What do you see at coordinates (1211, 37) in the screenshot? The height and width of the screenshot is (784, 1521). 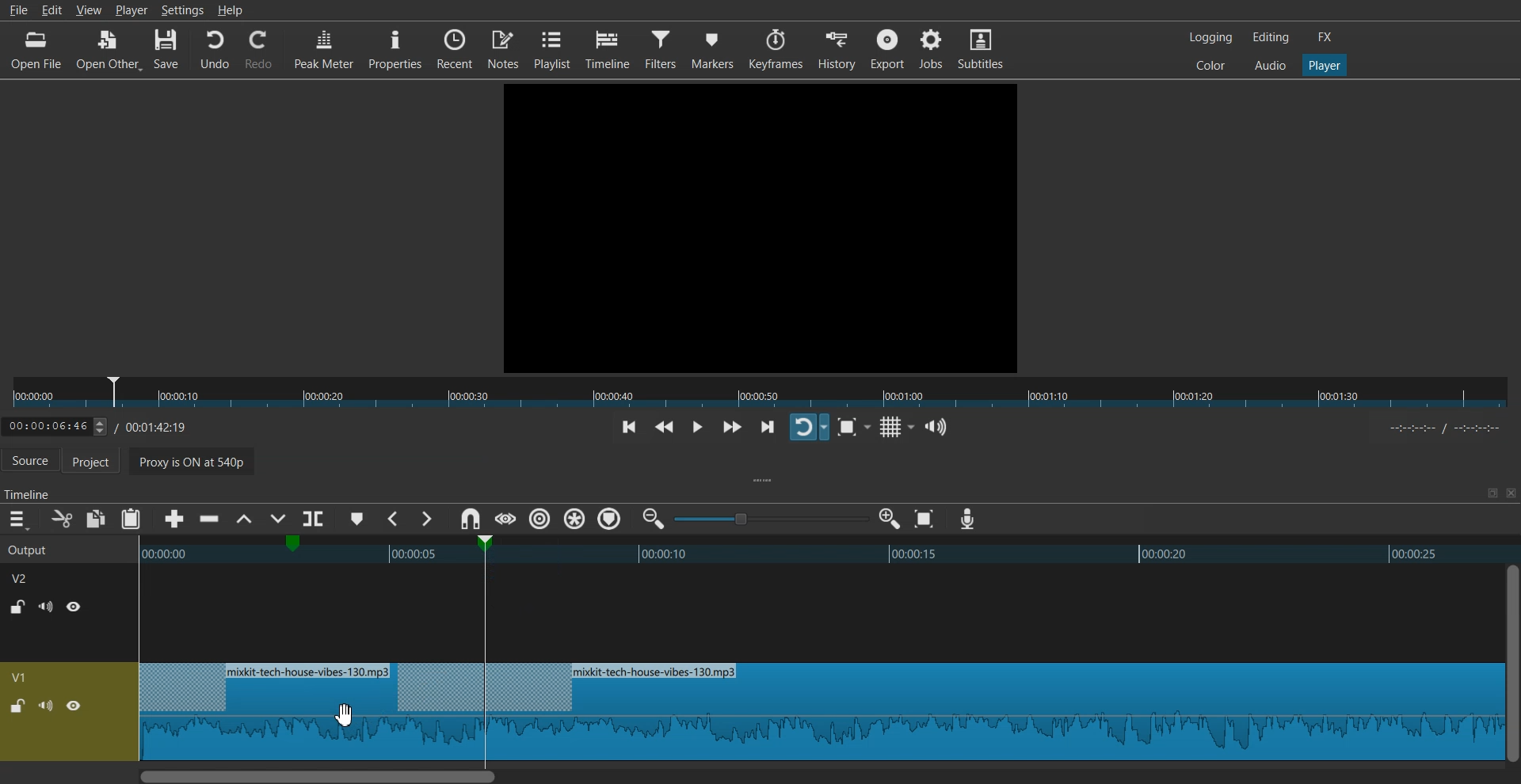 I see `Logging` at bounding box center [1211, 37].